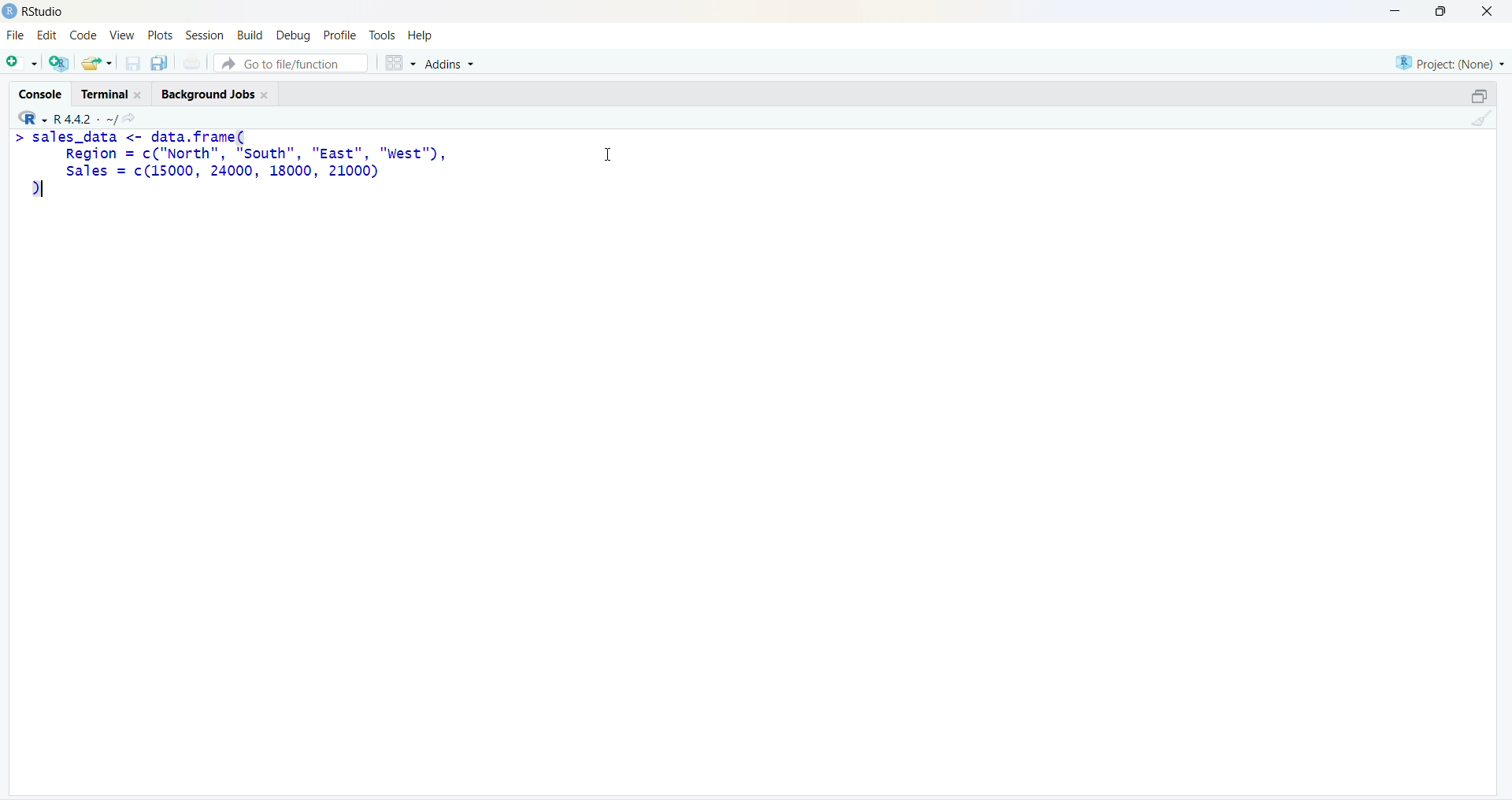 This screenshot has width=1512, height=800. What do you see at coordinates (395, 60) in the screenshot?
I see `grid view` at bounding box center [395, 60].